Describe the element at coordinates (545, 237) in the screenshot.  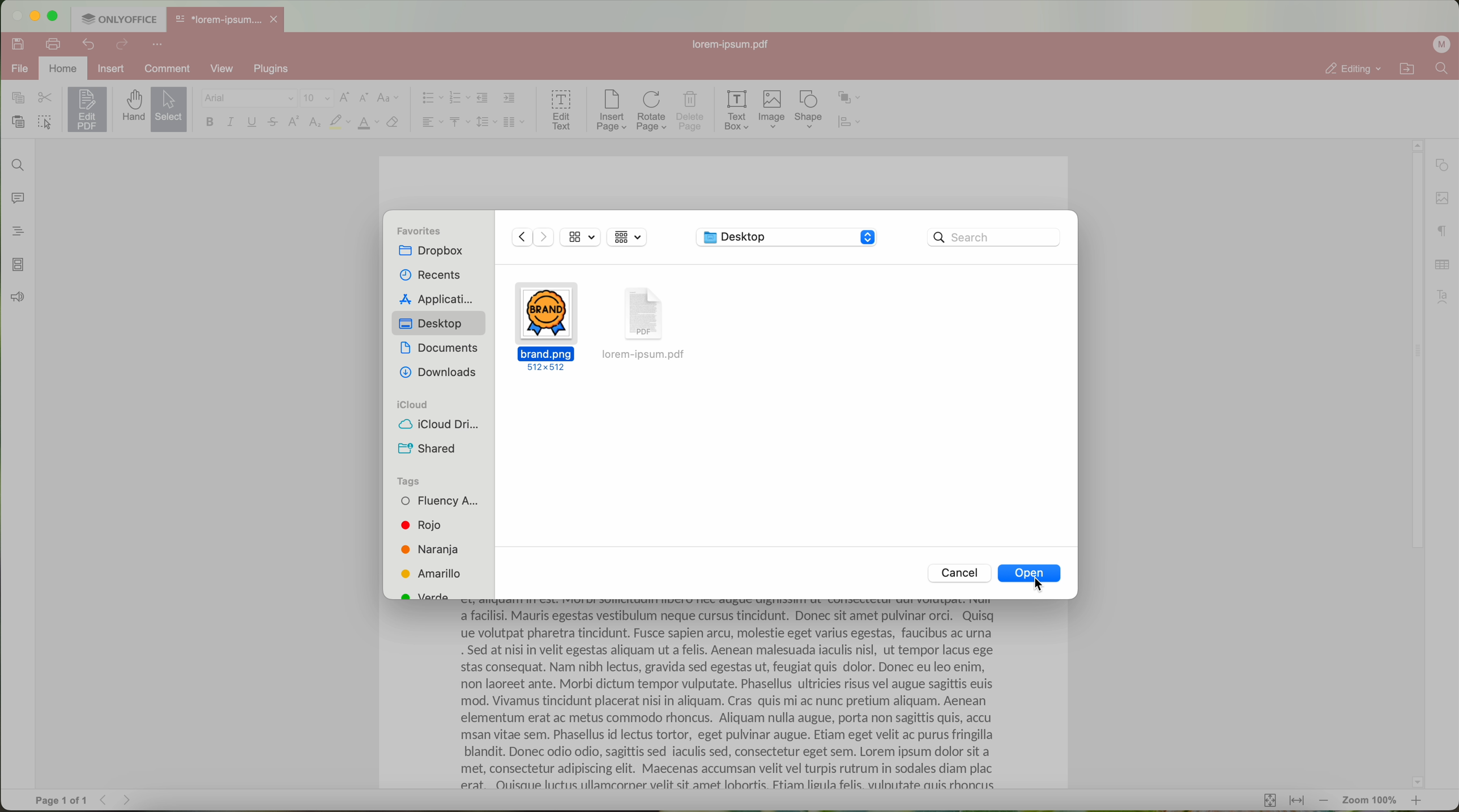
I see `Forward` at that location.